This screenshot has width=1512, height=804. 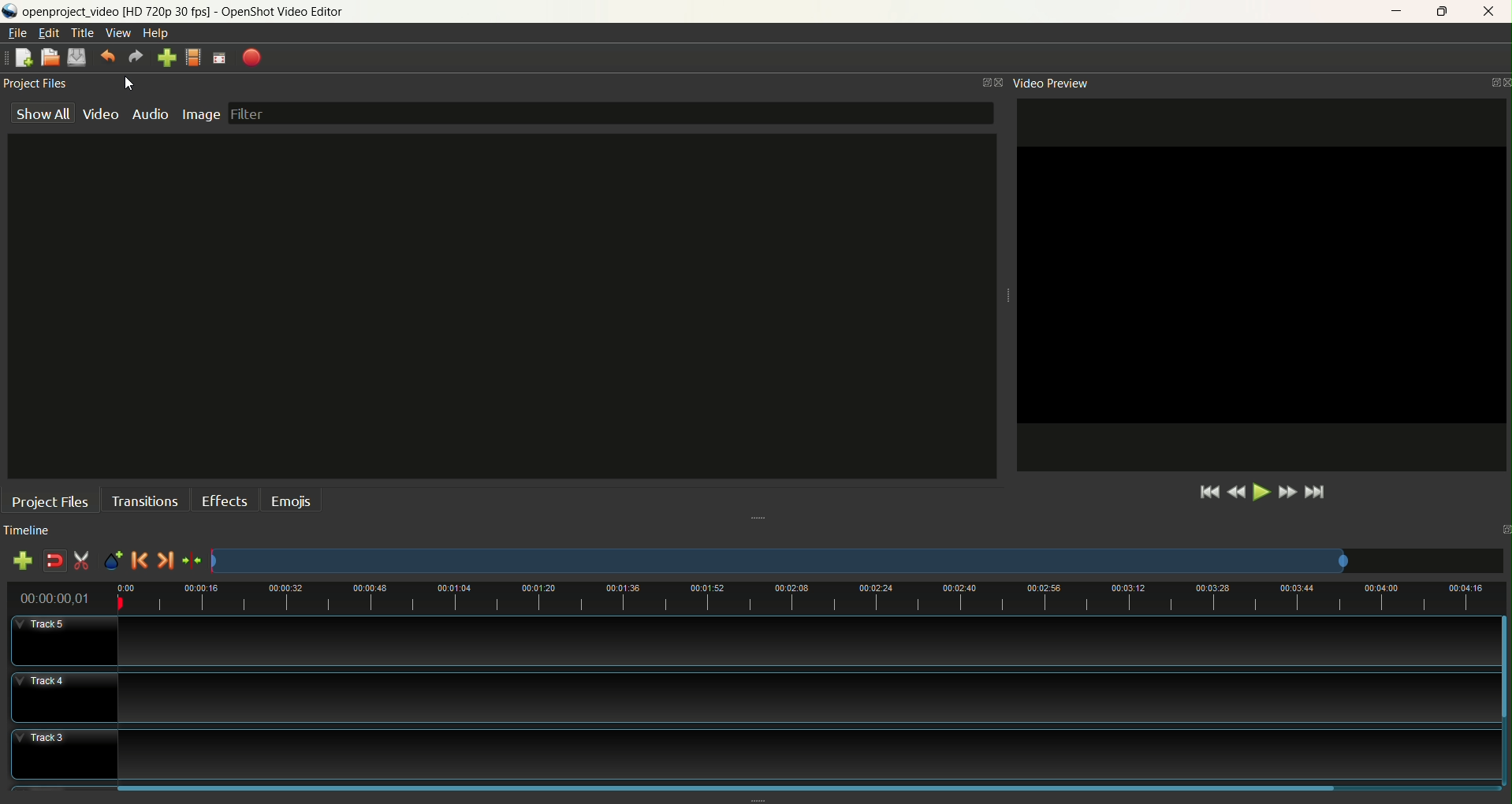 I want to click on maximize, so click(x=1447, y=9).